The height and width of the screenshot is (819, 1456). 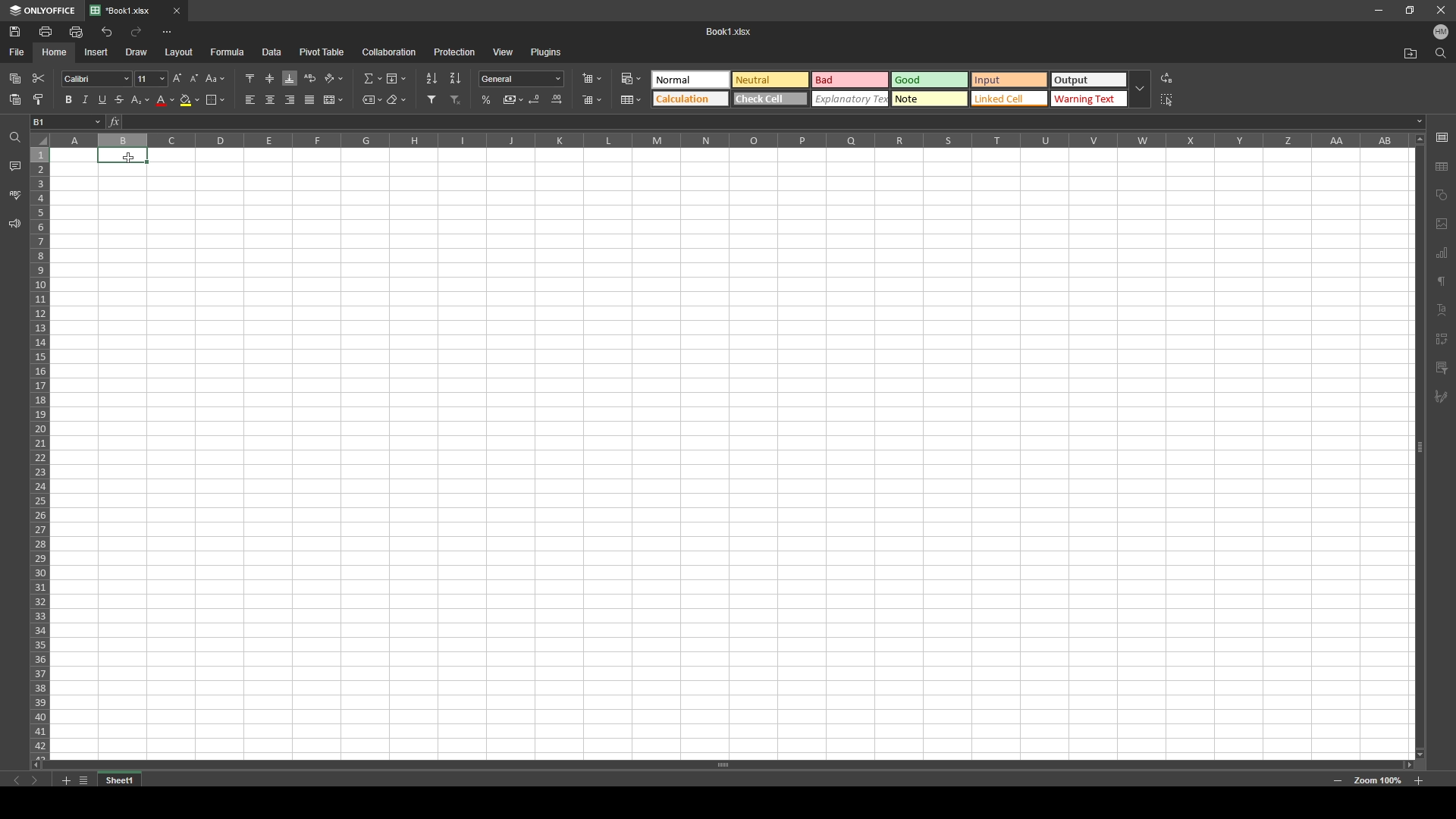 What do you see at coordinates (290, 78) in the screenshot?
I see `align bottom` at bounding box center [290, 78].